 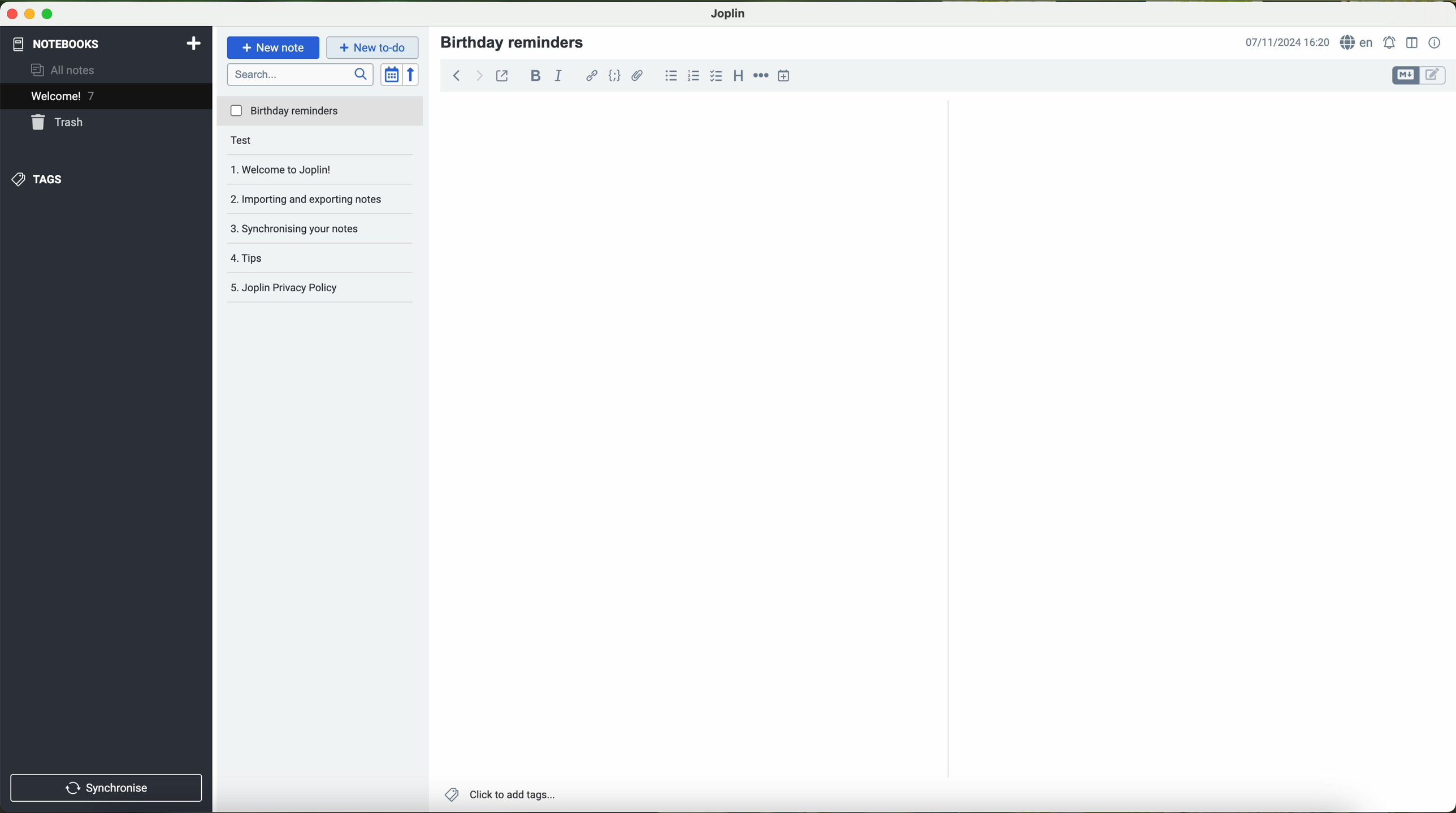 What do you see at coordinates (285, 285) in the screenshot?
I see `Joplin privacy policy` at bounding box center [285, 285].